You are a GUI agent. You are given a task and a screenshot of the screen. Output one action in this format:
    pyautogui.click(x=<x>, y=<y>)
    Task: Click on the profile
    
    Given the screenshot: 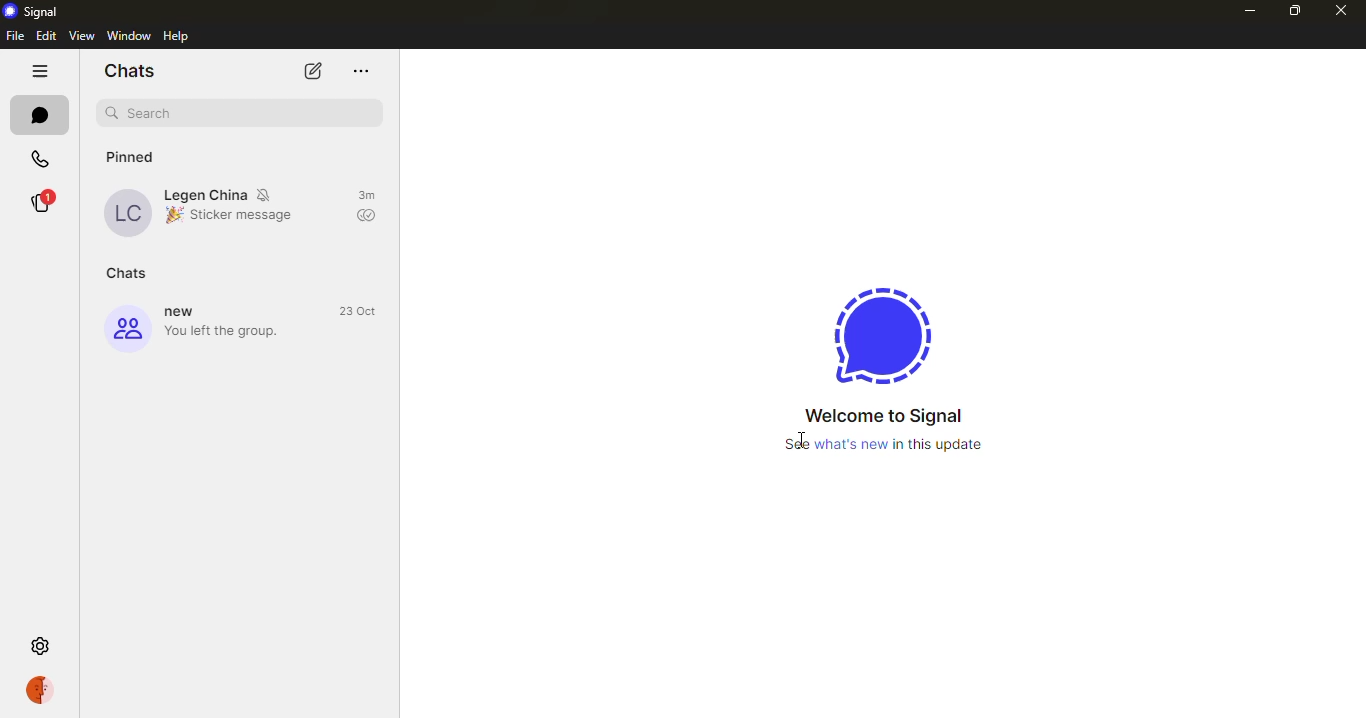 What is the action you would take?
    pyautogui.click(x=38, y=688)
    